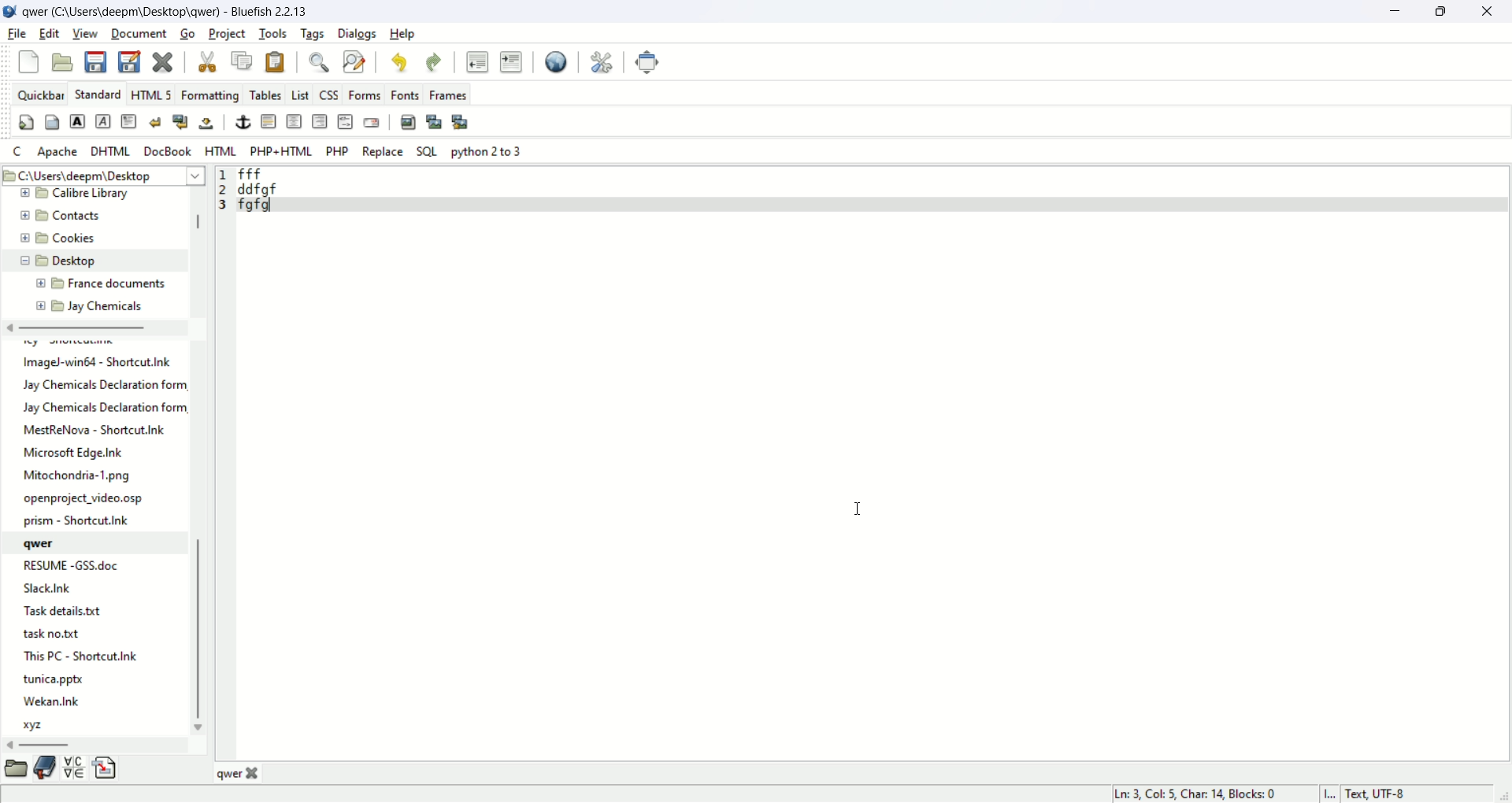 The width and height of the screenshot is (1512, 803). What do you see at coordinates (84, 32) in the screenshot?
I see `view` at bounding box center [84, 32].